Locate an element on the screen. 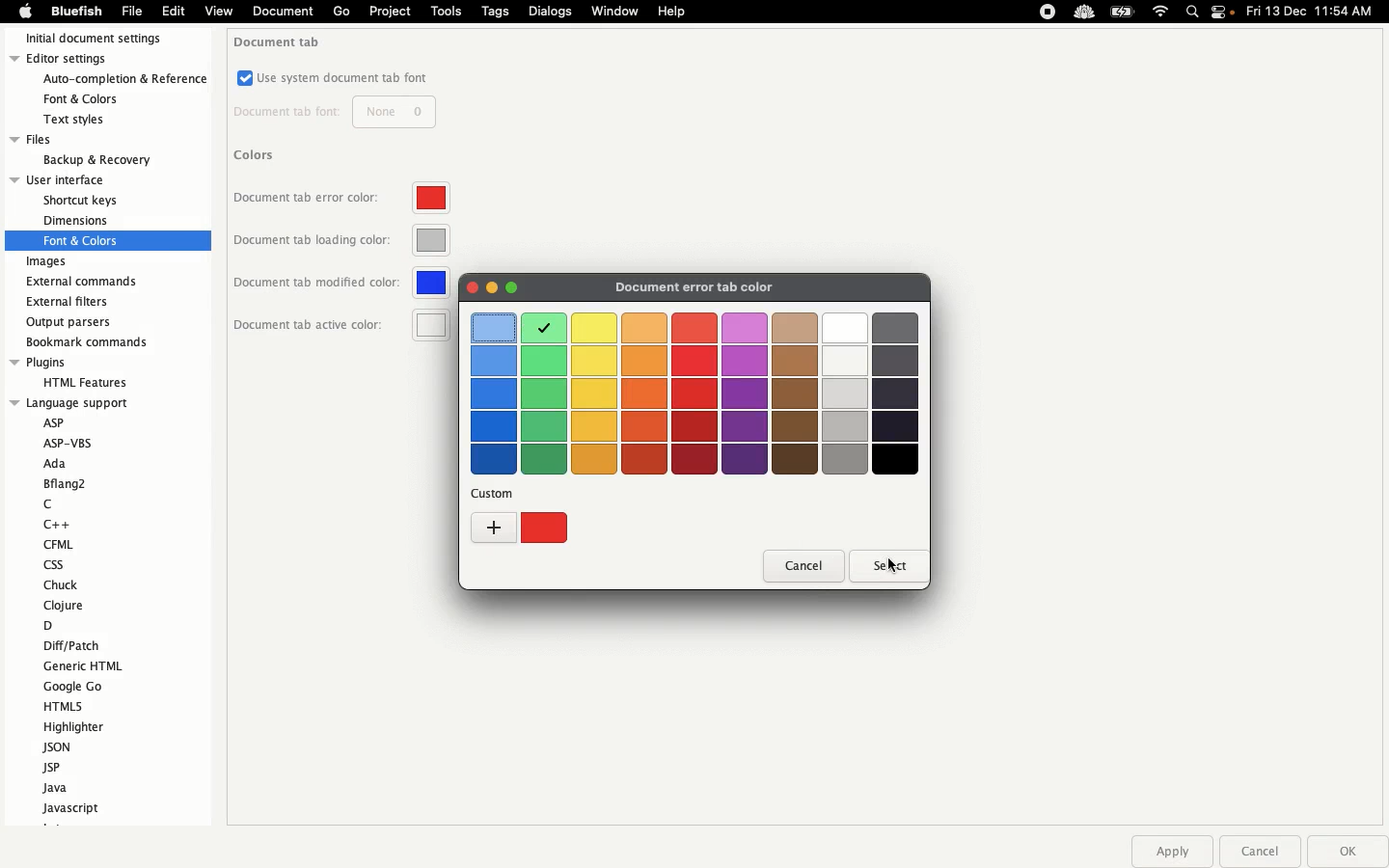 This screenshot has width=1389, height=868. Extensions is located at coordinates (1064, 12).